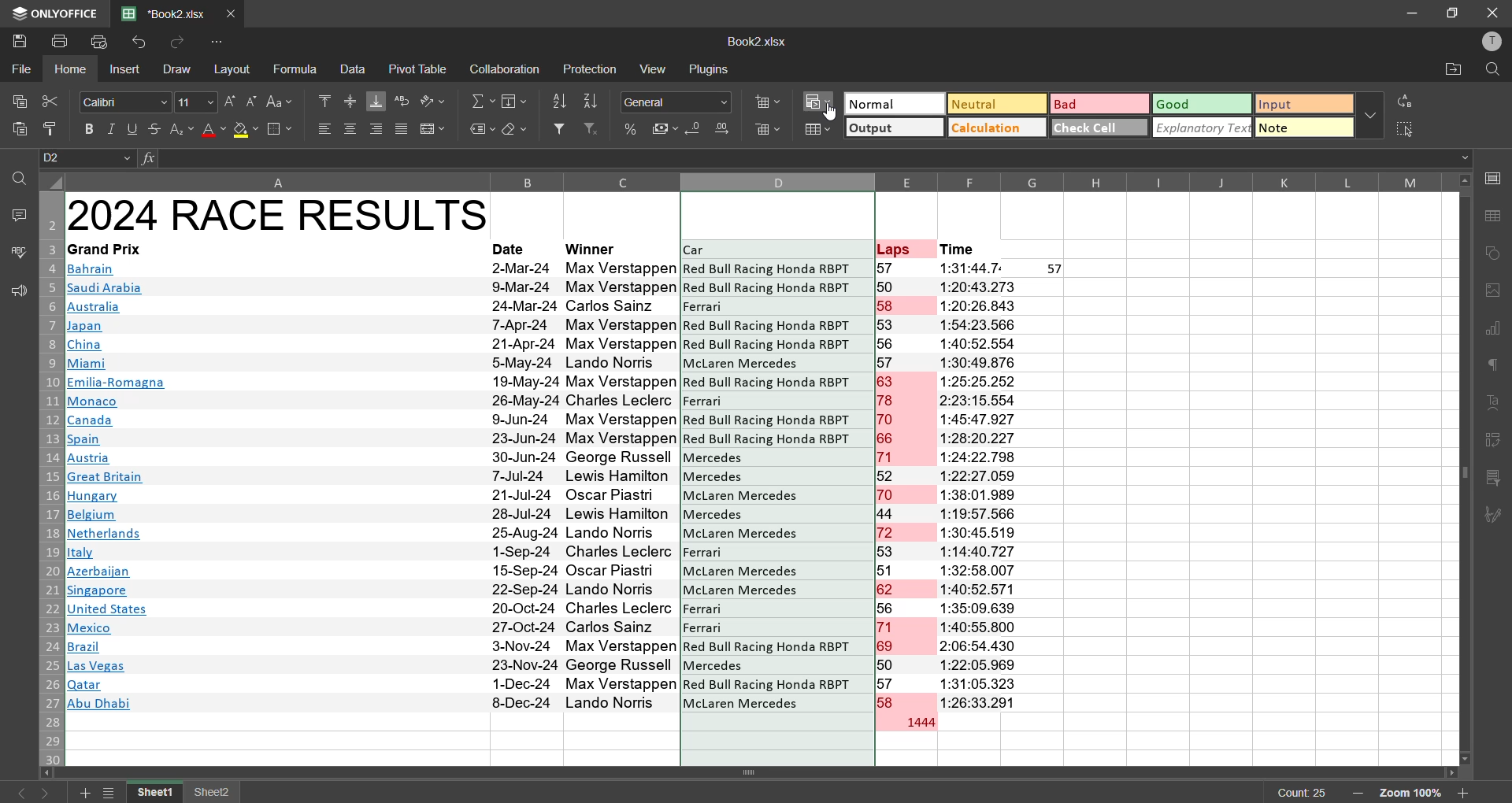 This screenshot has width=1512, height=803. What do you see at coordinates (19, 39) in the screenshot?
I see `save` at bounding box center [19, 39].